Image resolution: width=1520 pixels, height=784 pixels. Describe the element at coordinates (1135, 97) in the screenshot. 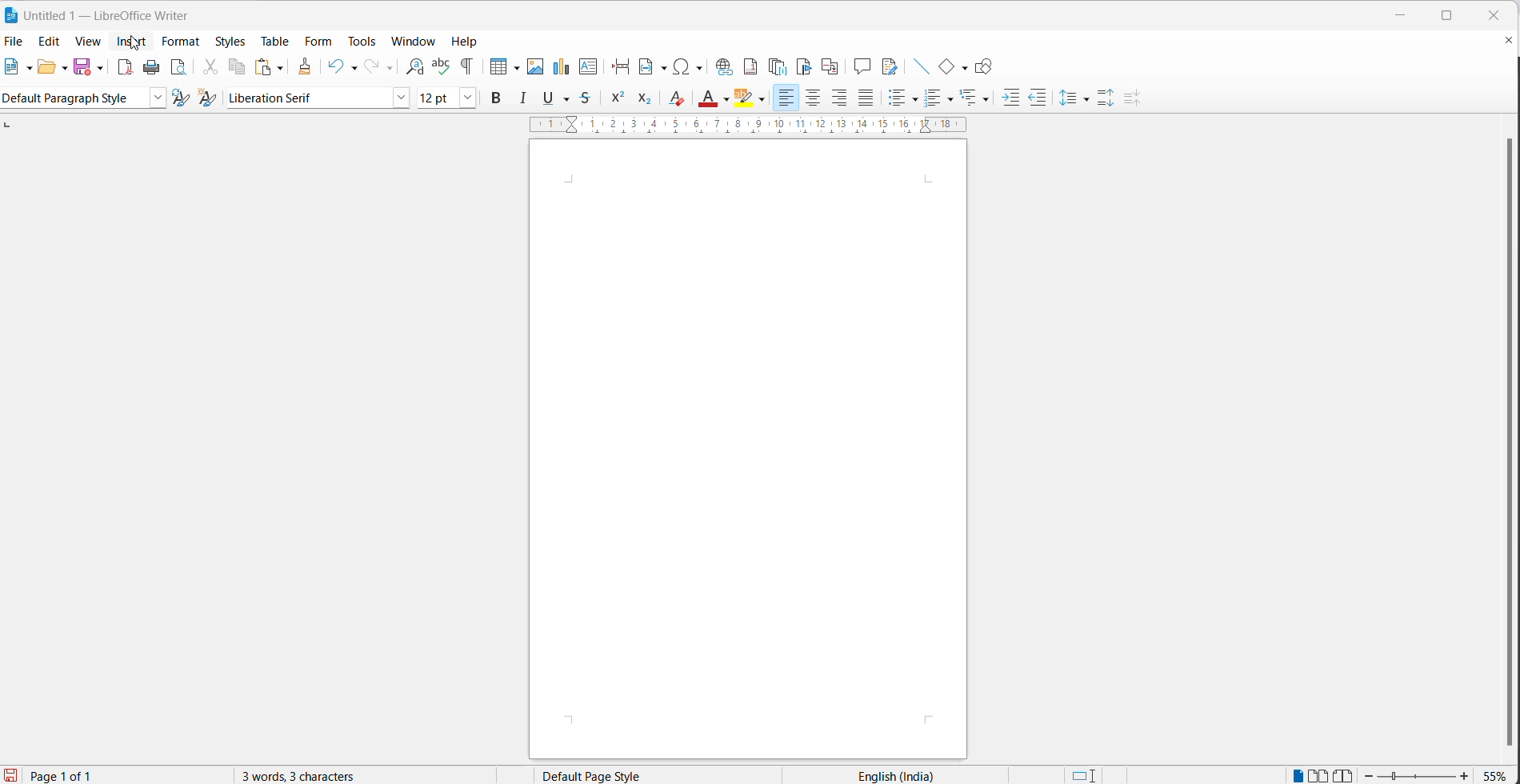

I see `decrease paragraph spacing` at that location.